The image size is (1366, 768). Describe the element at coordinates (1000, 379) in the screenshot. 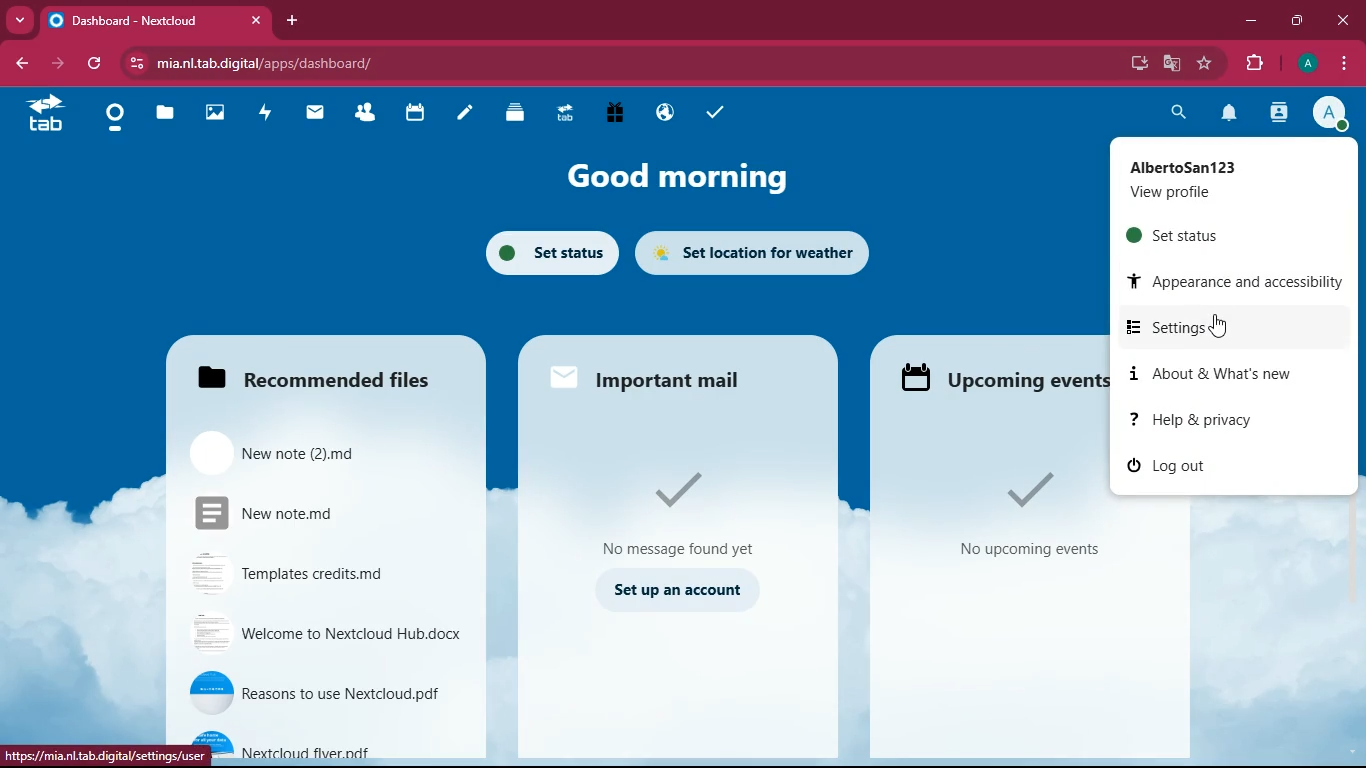

I see `Upcoming events` at that location.